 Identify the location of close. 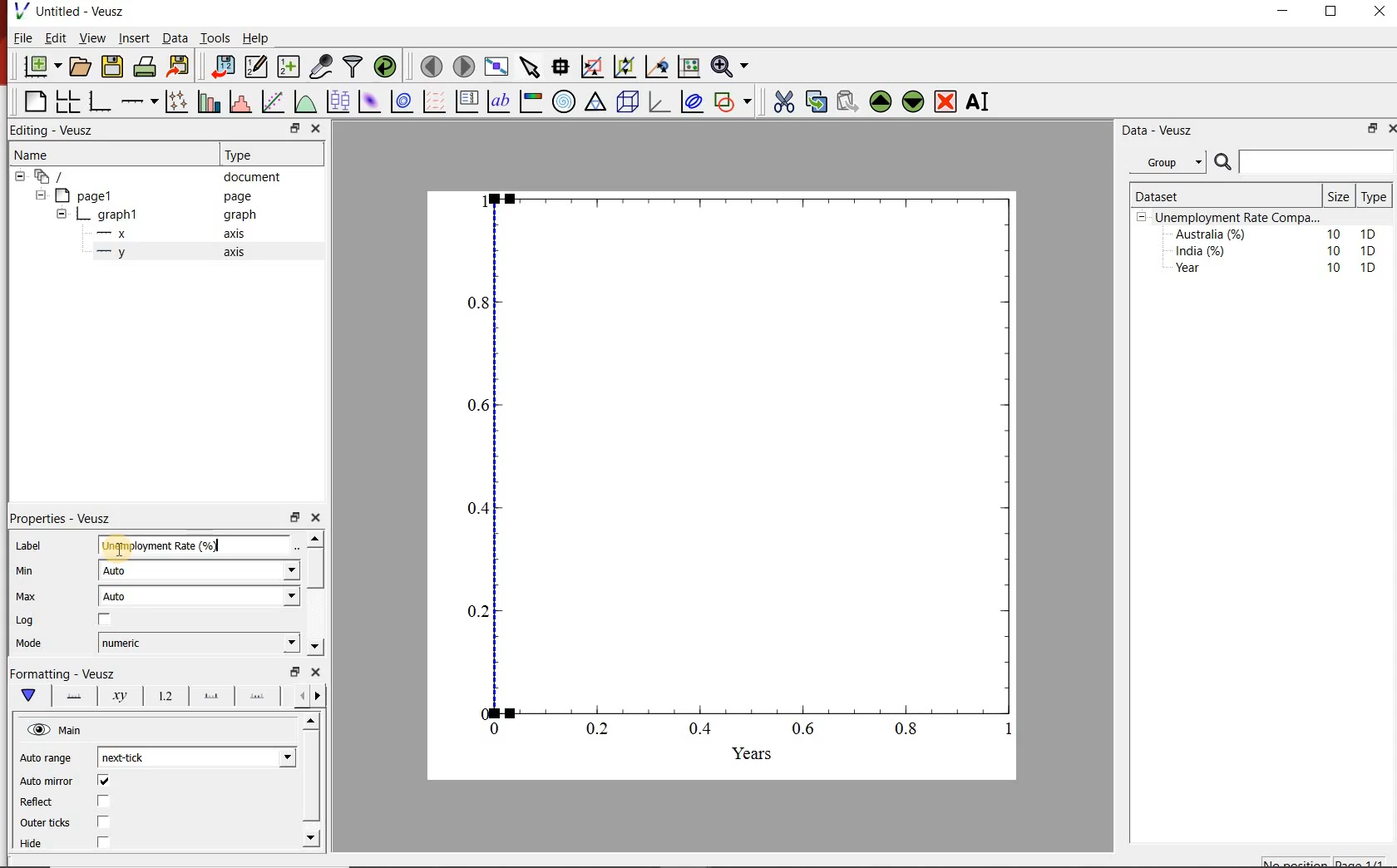
(317, 672).